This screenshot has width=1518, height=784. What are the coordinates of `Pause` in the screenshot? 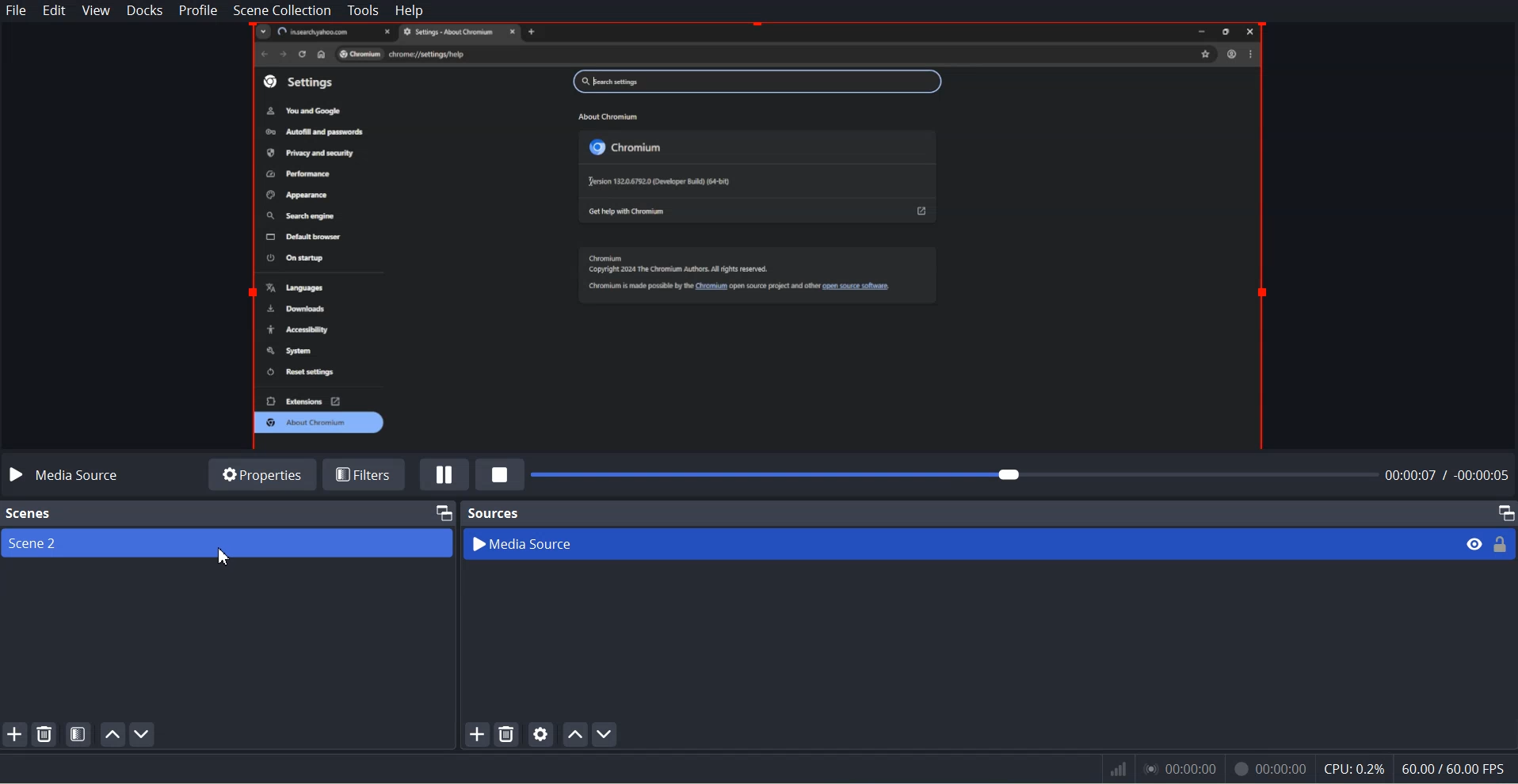 It's located at (444, 475).